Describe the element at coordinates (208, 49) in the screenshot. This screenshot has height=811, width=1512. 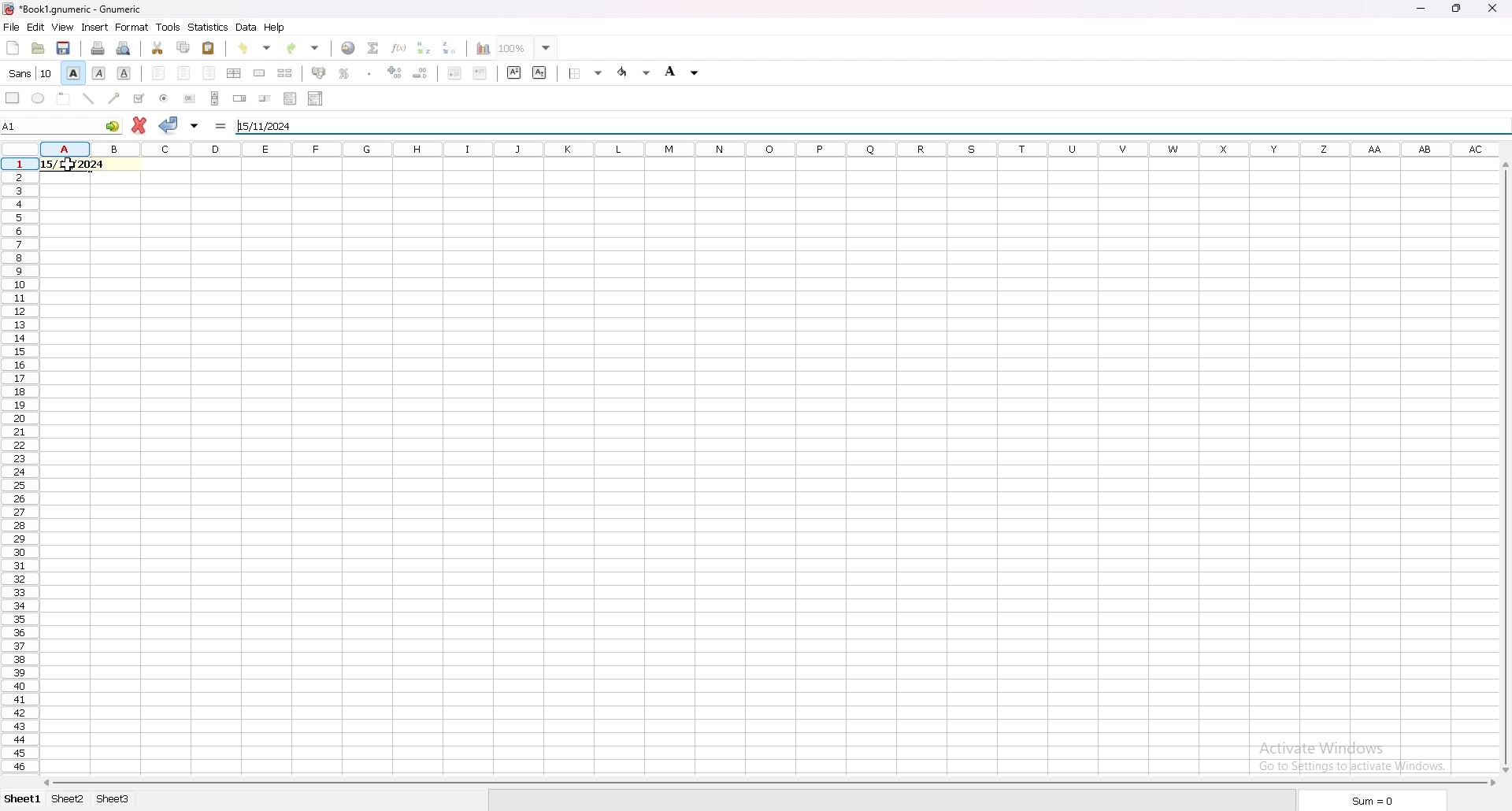
I see `paste` at that location.